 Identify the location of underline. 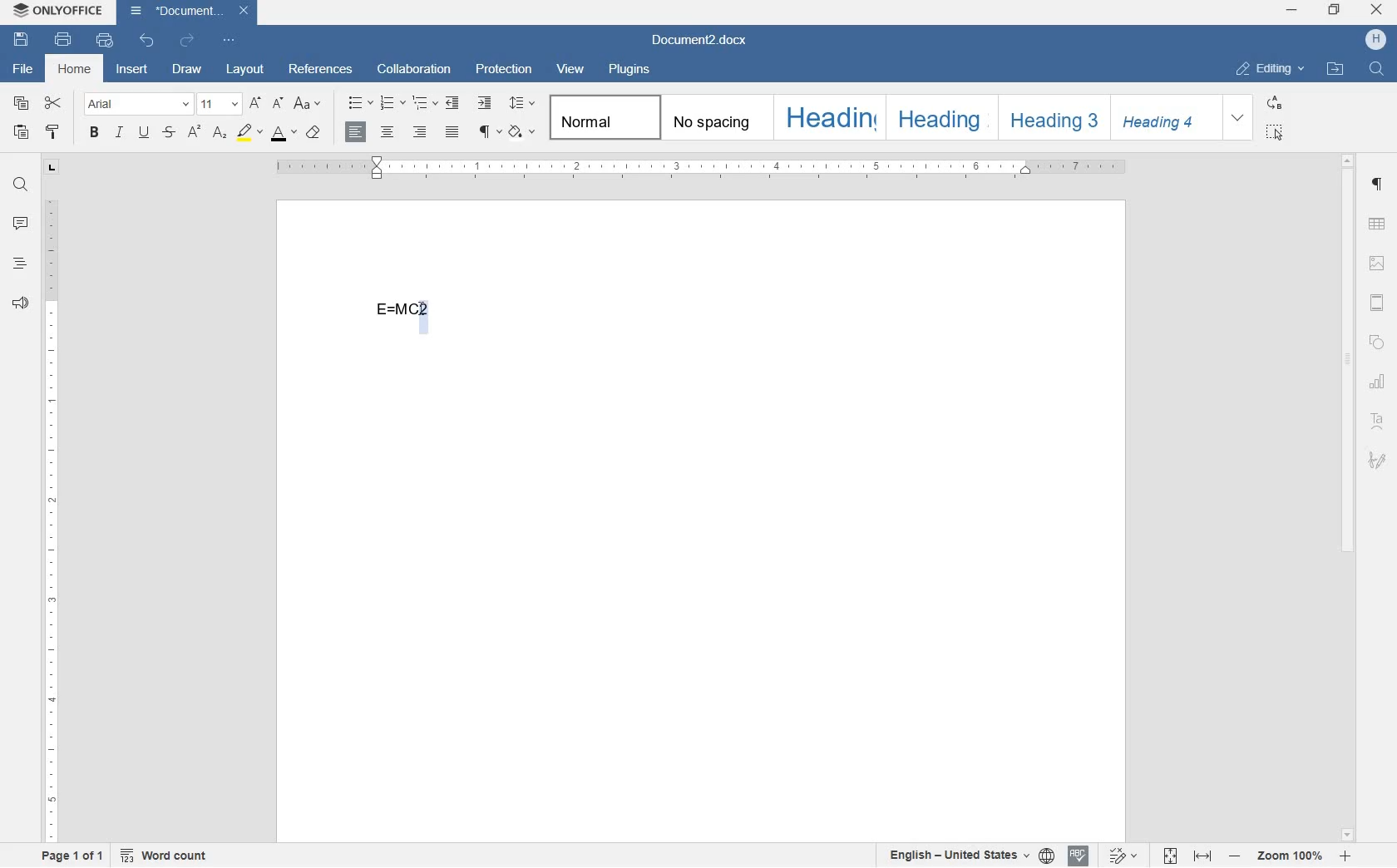
(146, 131).